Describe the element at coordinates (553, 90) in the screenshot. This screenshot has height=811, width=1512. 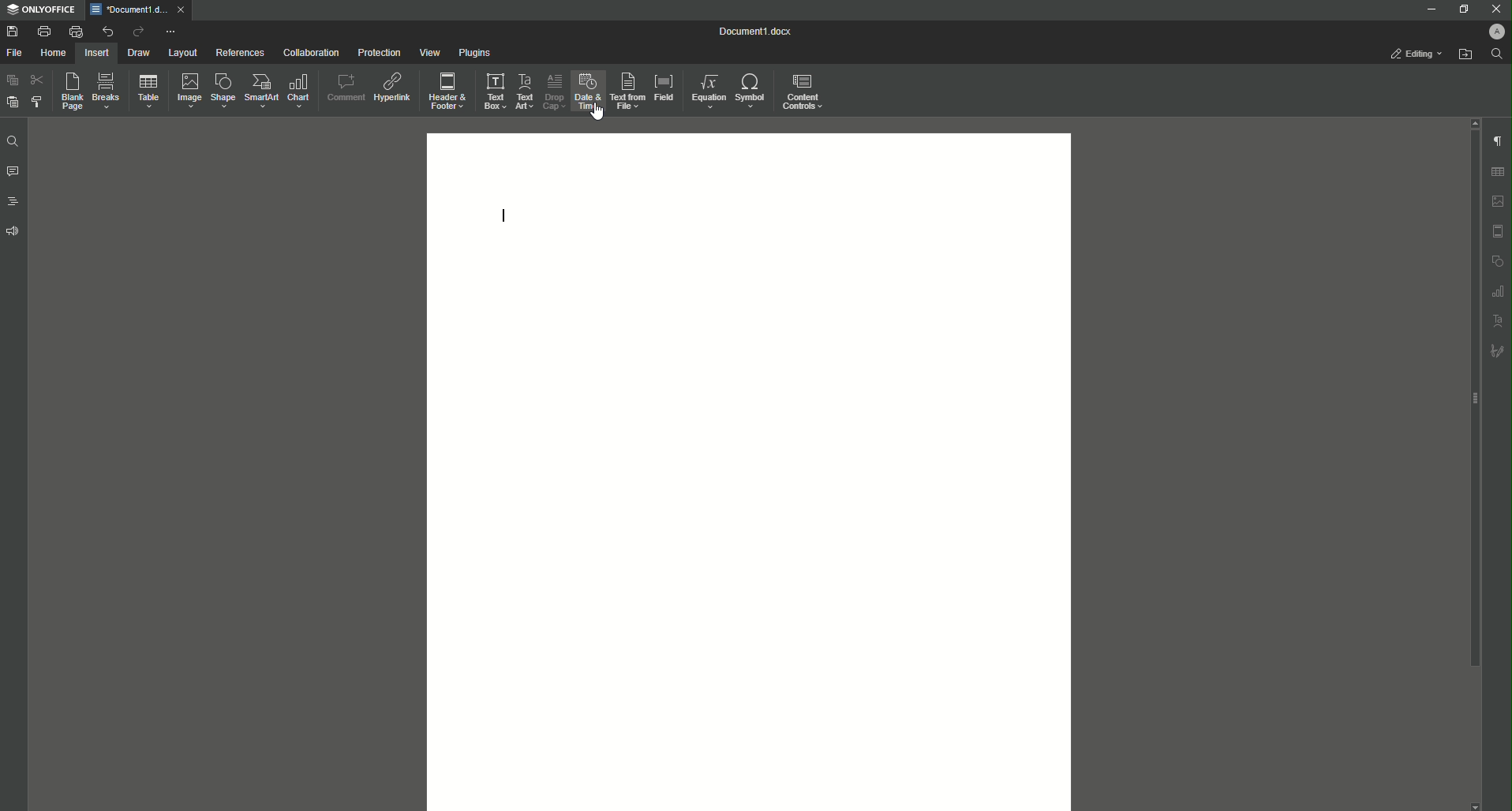
I see `Drop Cap` at that location.